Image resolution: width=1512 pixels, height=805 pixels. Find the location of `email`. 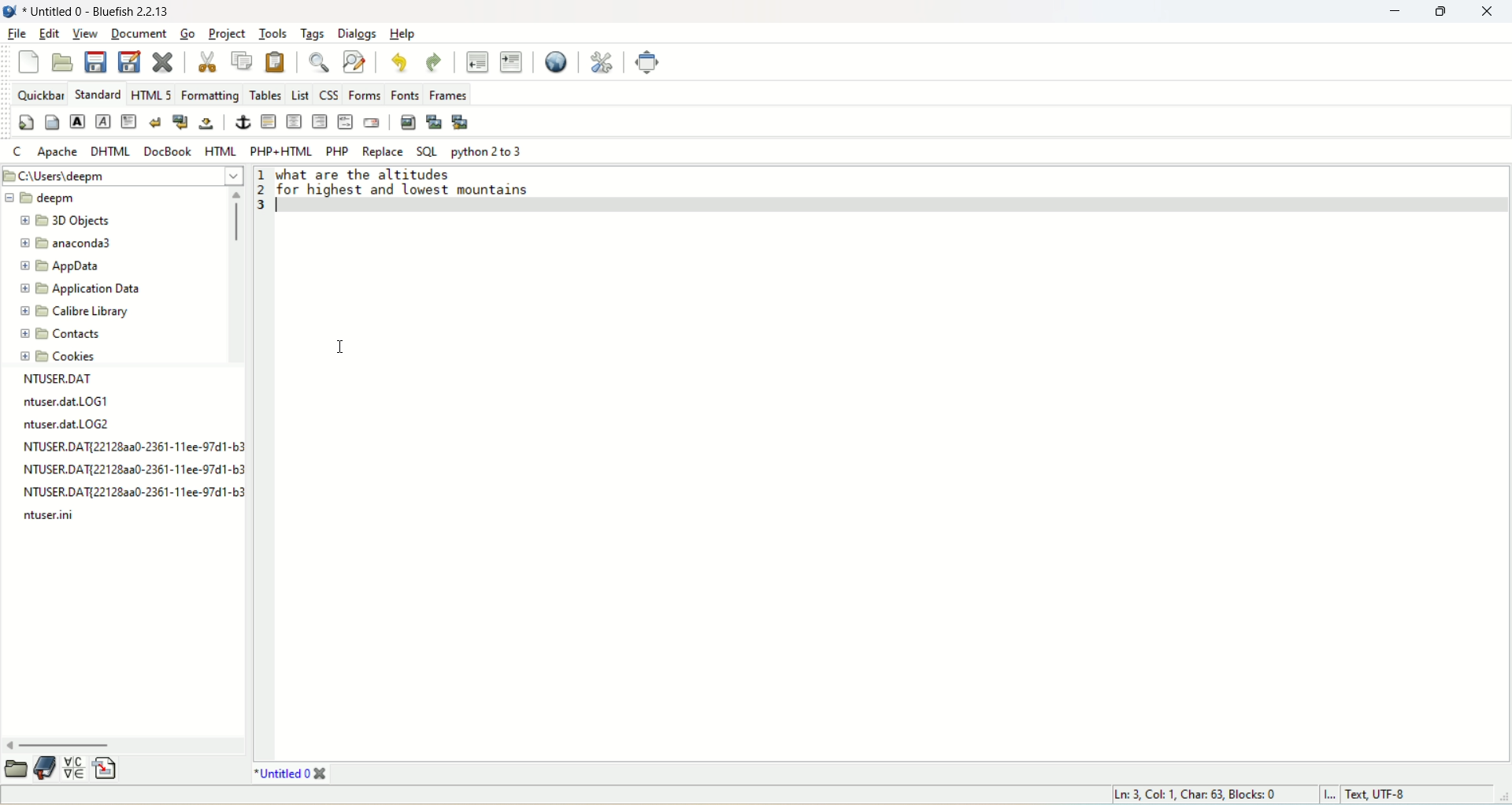

email is located at coordinates (370, 121).